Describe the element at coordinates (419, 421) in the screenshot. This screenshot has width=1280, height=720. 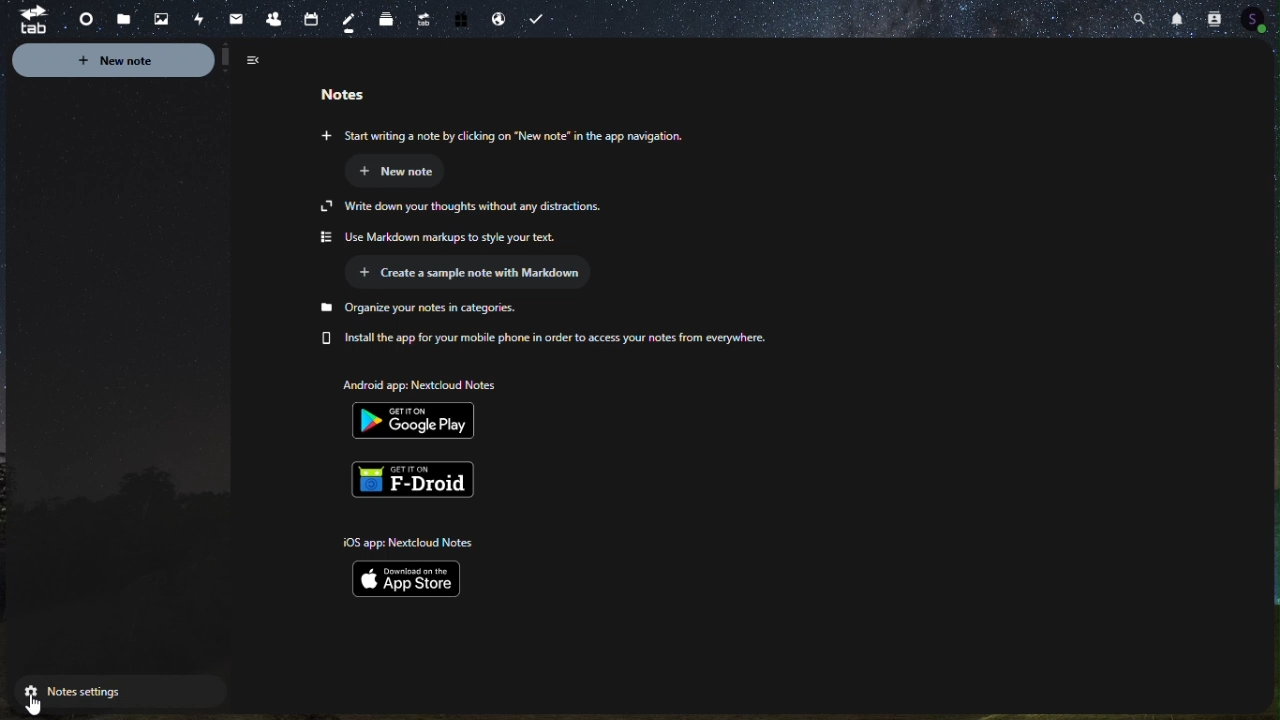
I see `Google play playstore` at that location.